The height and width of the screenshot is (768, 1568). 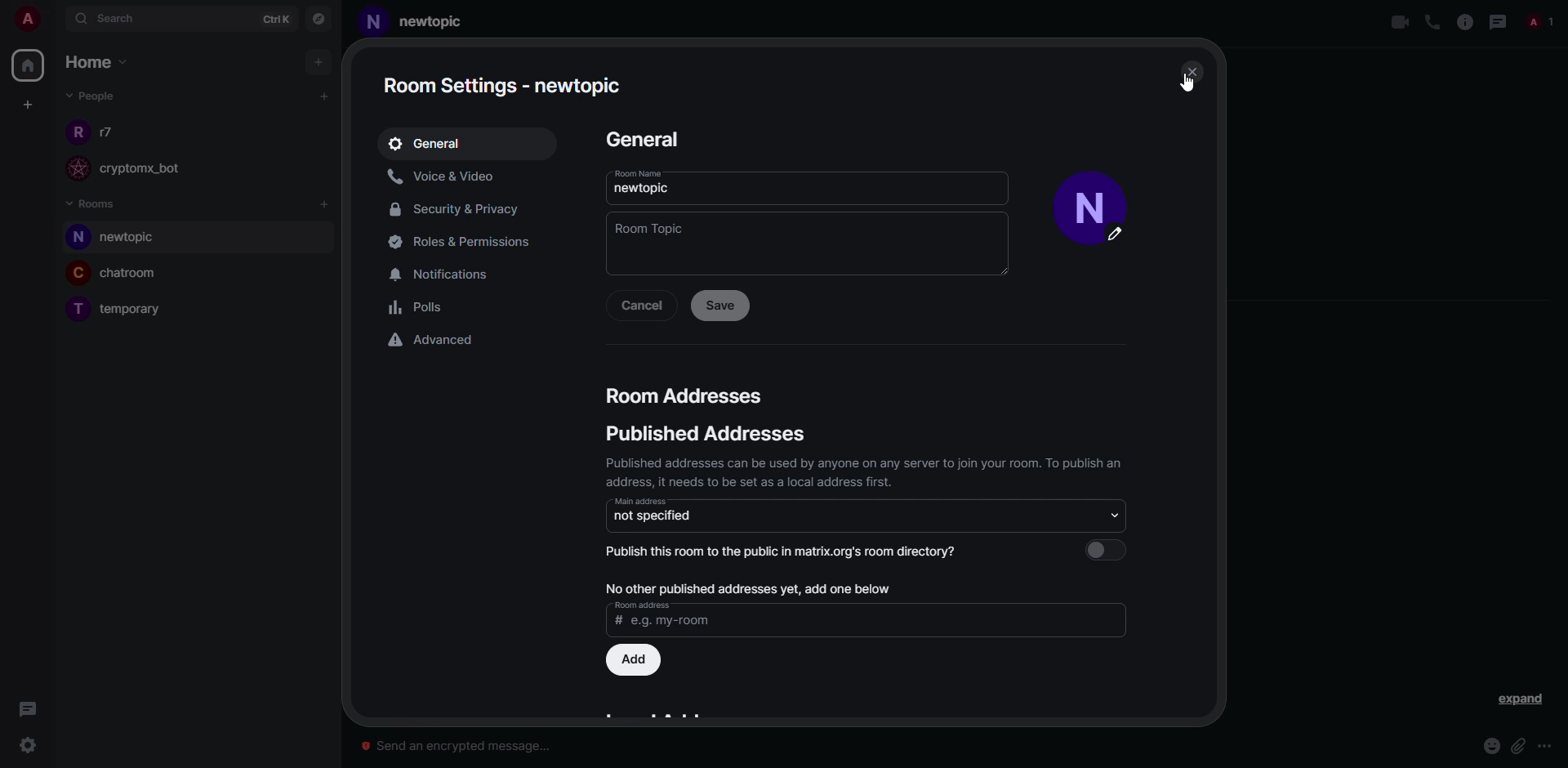 What do you see at coordinates (457, 242) in the screenshot?
I see `roles` at bounding box center [457, 242].